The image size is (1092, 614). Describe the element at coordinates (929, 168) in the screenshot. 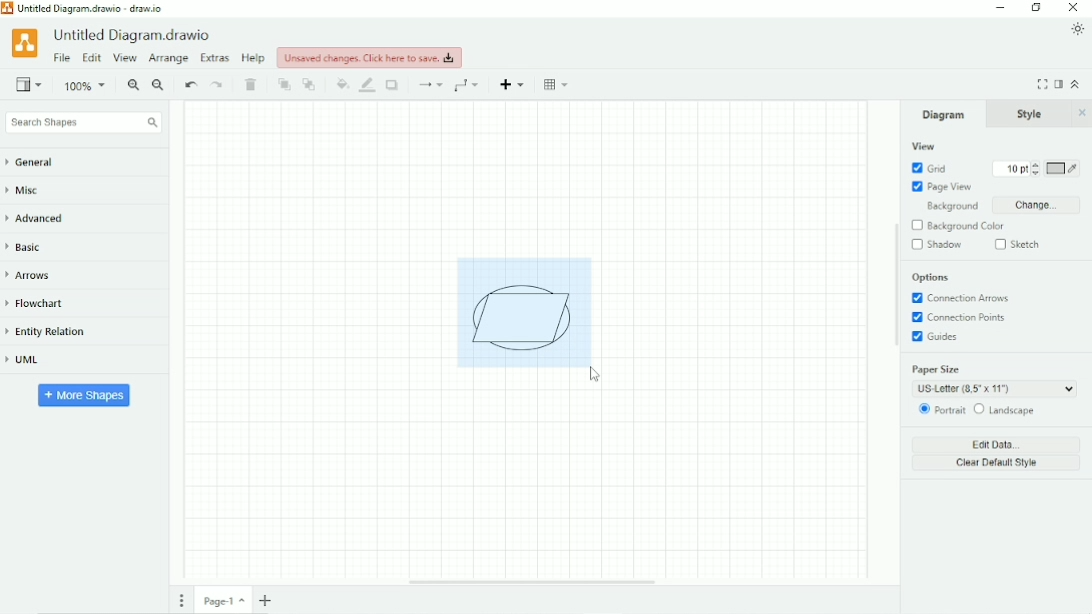

I see `Grid` at that location.